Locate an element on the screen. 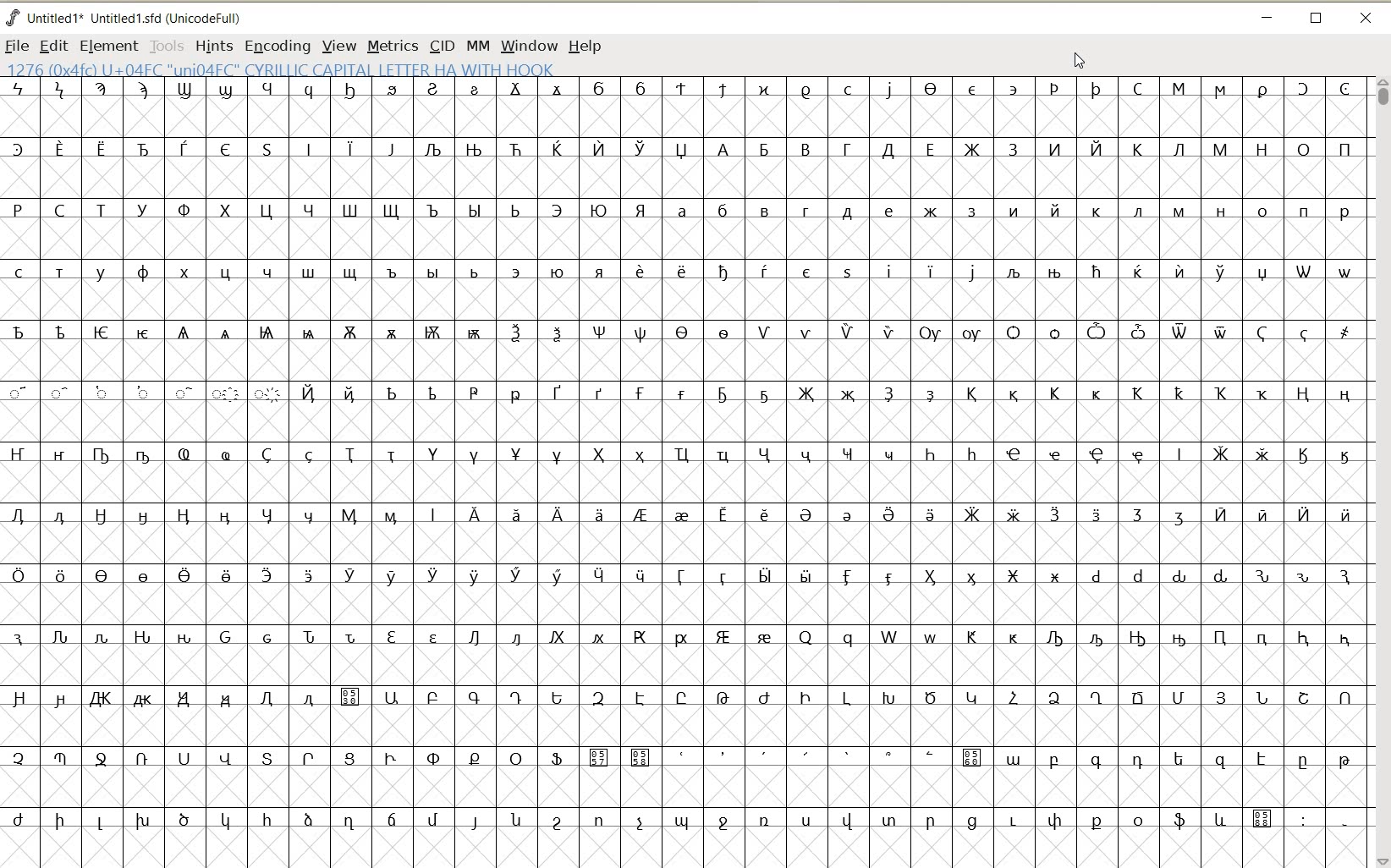  FONT NAME is located at coordinates (127, 18).